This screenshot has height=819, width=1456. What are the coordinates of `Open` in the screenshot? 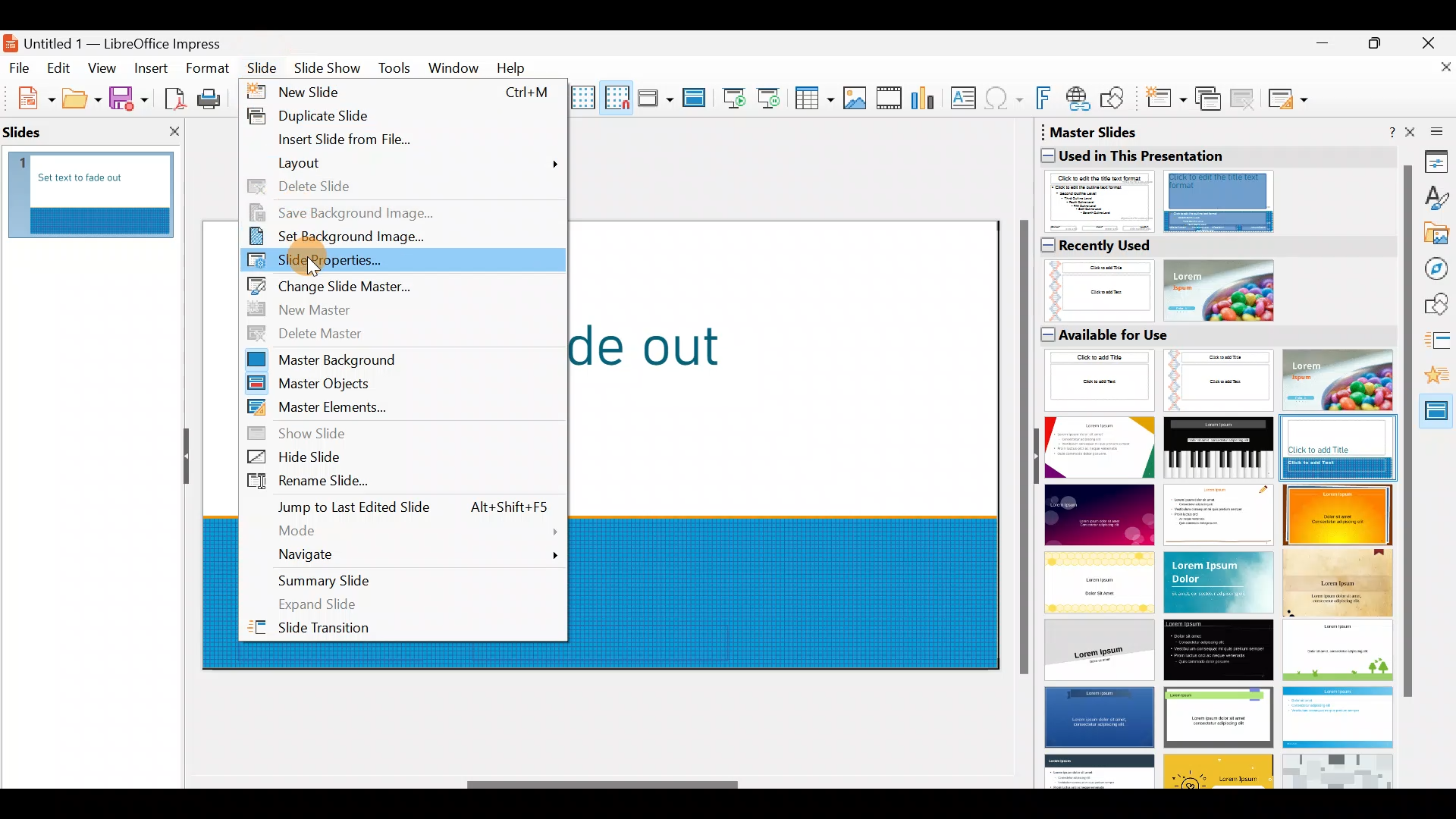 It's located at (82, 99).